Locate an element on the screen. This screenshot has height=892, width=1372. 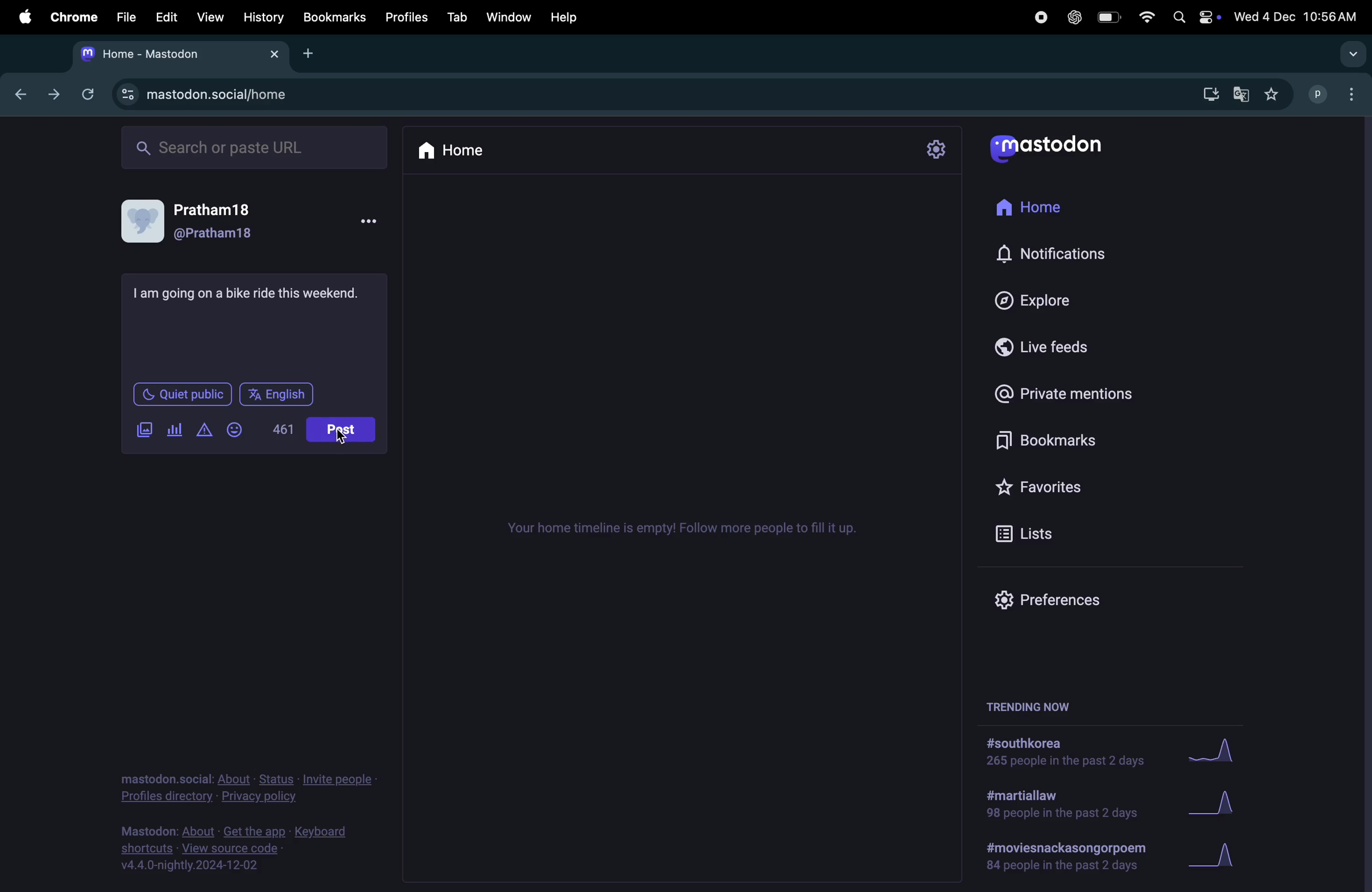
Graph is located at coordinates (1219, 802).